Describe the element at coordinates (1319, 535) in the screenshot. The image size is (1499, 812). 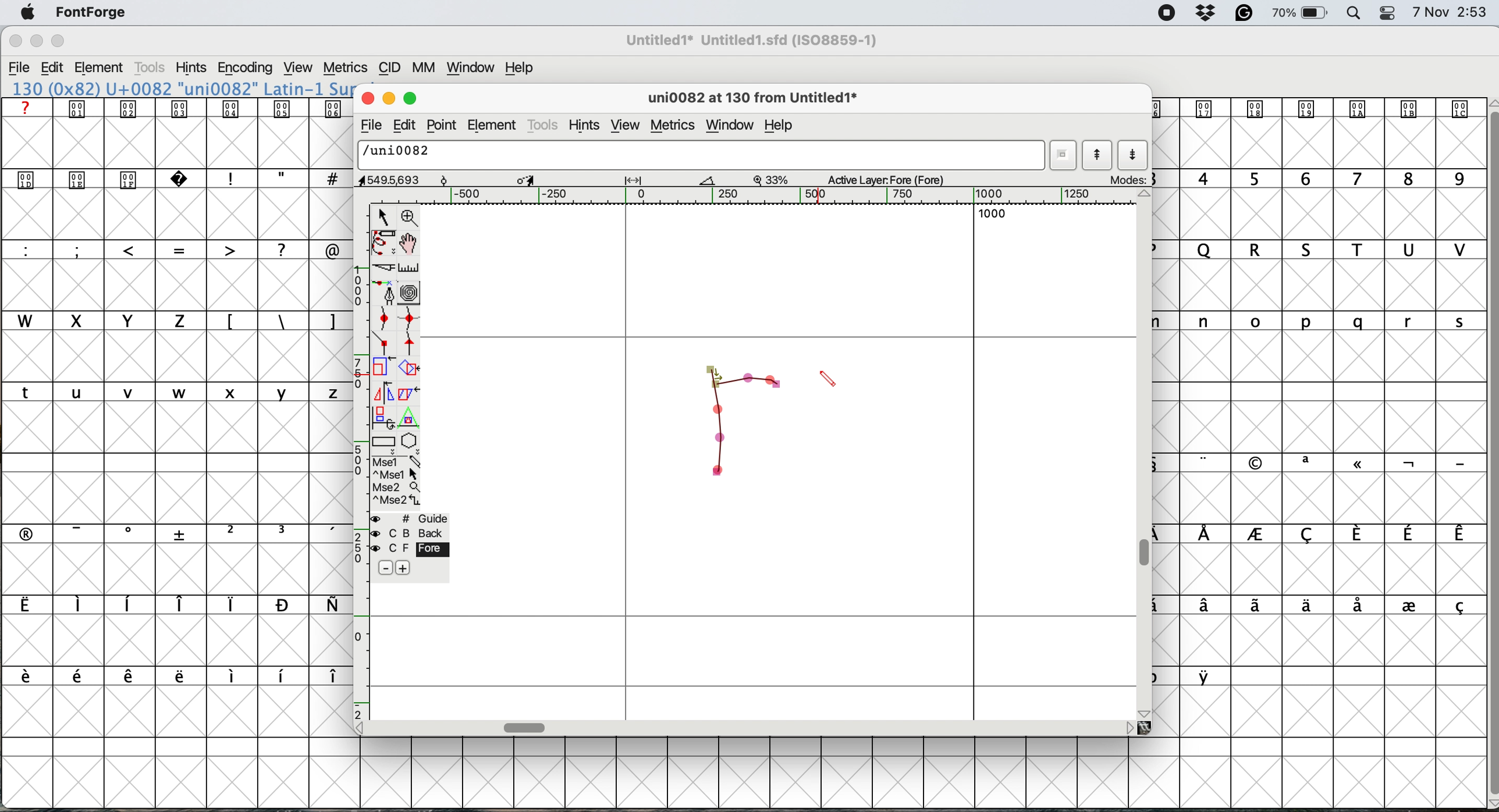
I see `special characters` at that location.